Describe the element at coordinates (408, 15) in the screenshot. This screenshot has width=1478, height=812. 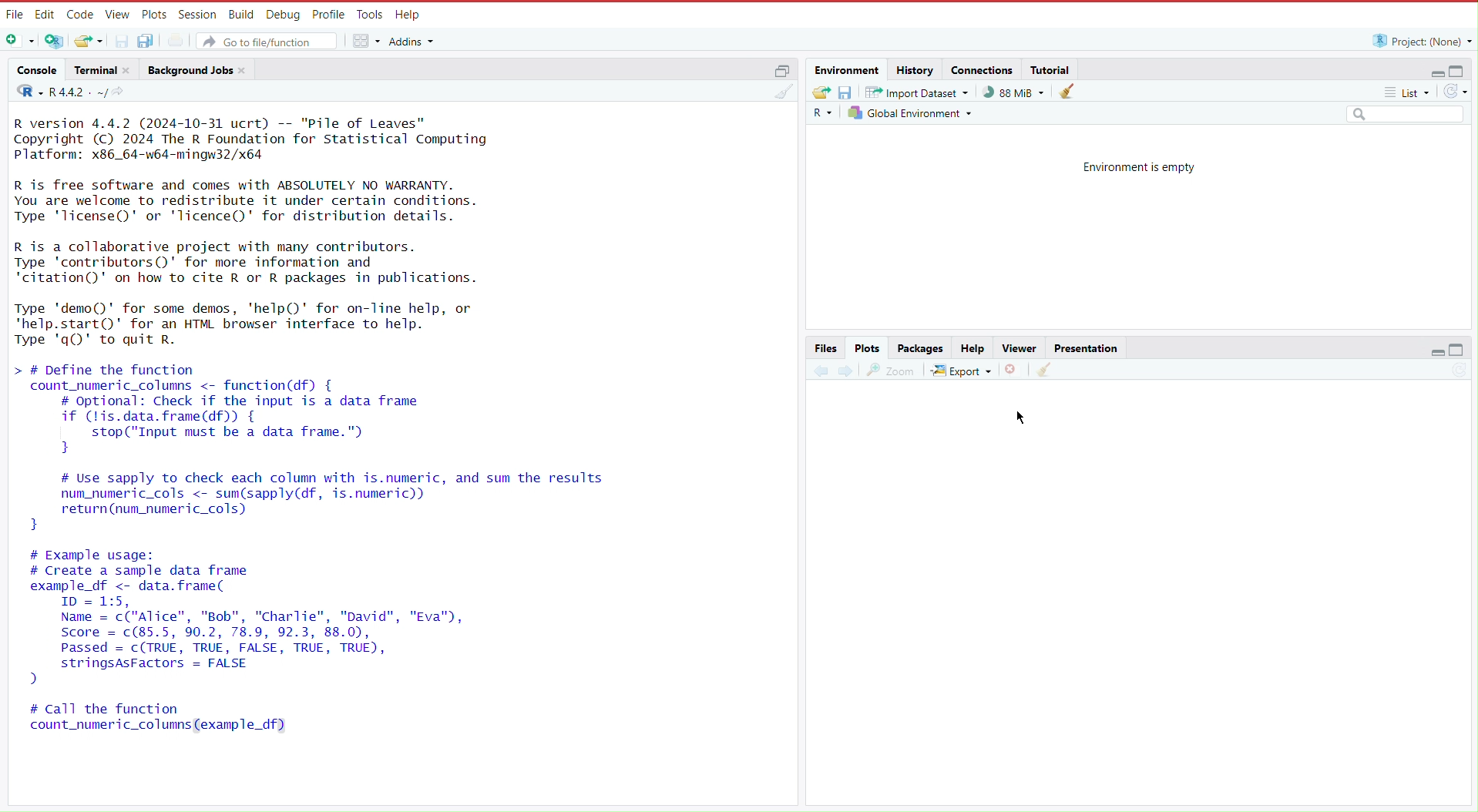
I see `Help` at that location.